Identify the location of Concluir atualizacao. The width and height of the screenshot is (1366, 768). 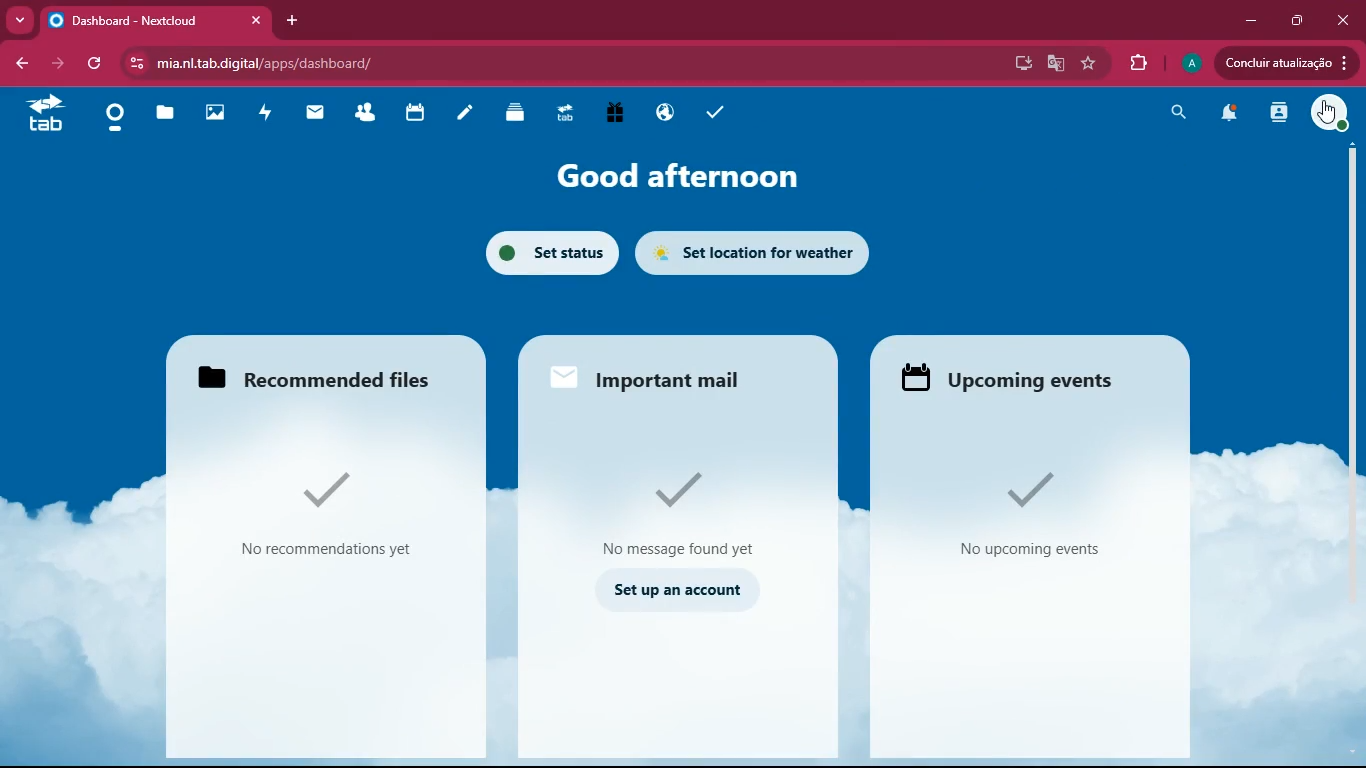
(1284, 63).